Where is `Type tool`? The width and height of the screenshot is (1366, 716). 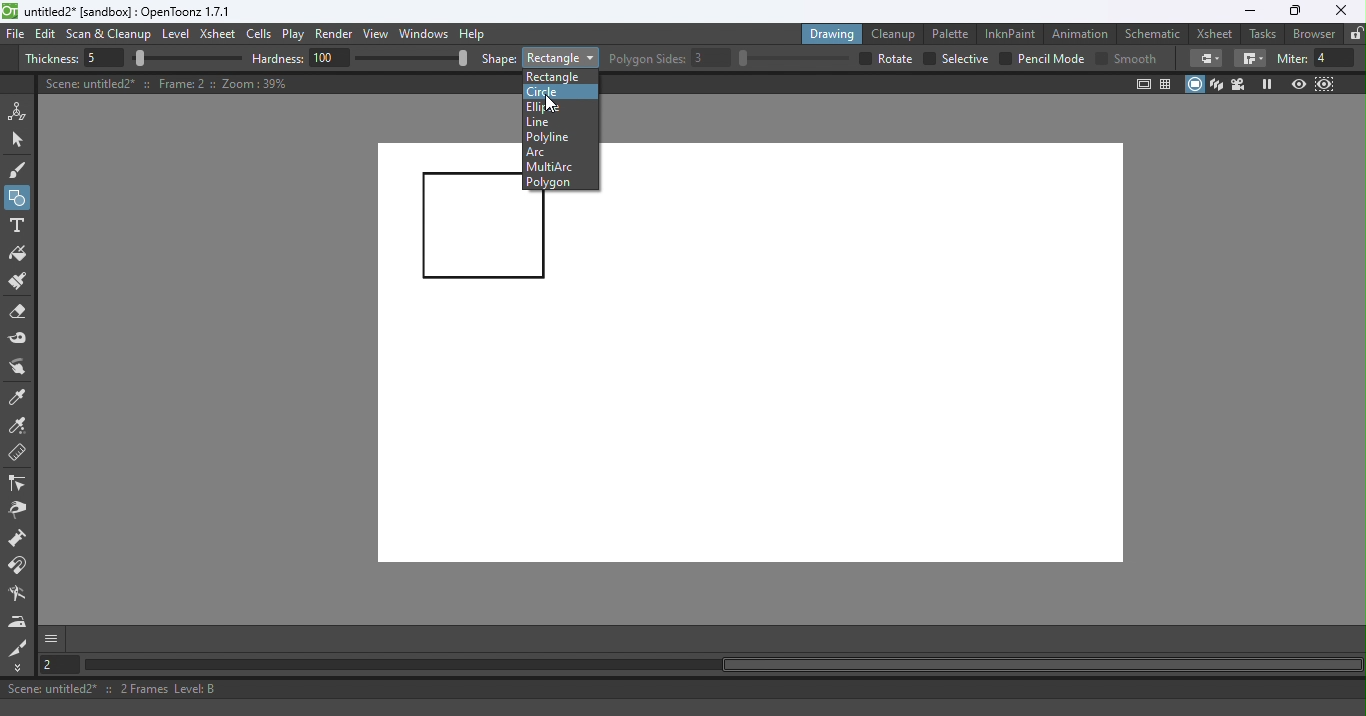 Type tool is located at coordinates (17, 227).